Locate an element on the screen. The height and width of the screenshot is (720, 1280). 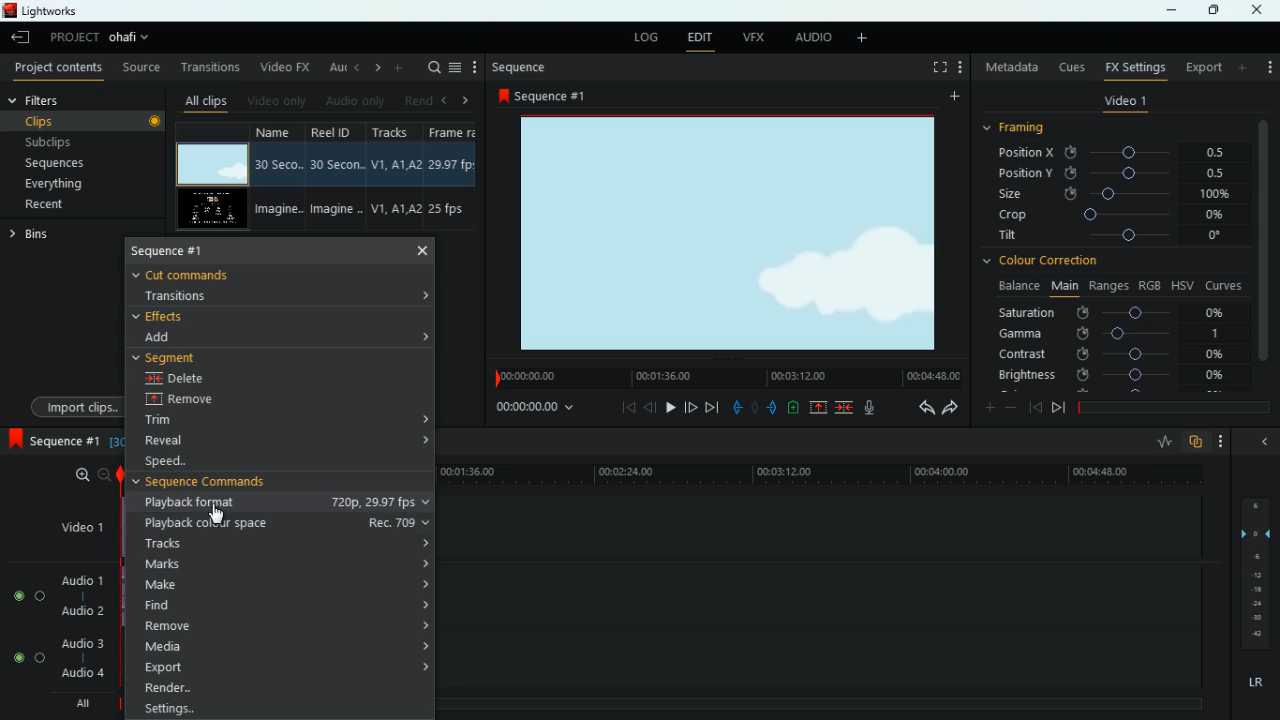
settings is located at coordinates (287, 709).